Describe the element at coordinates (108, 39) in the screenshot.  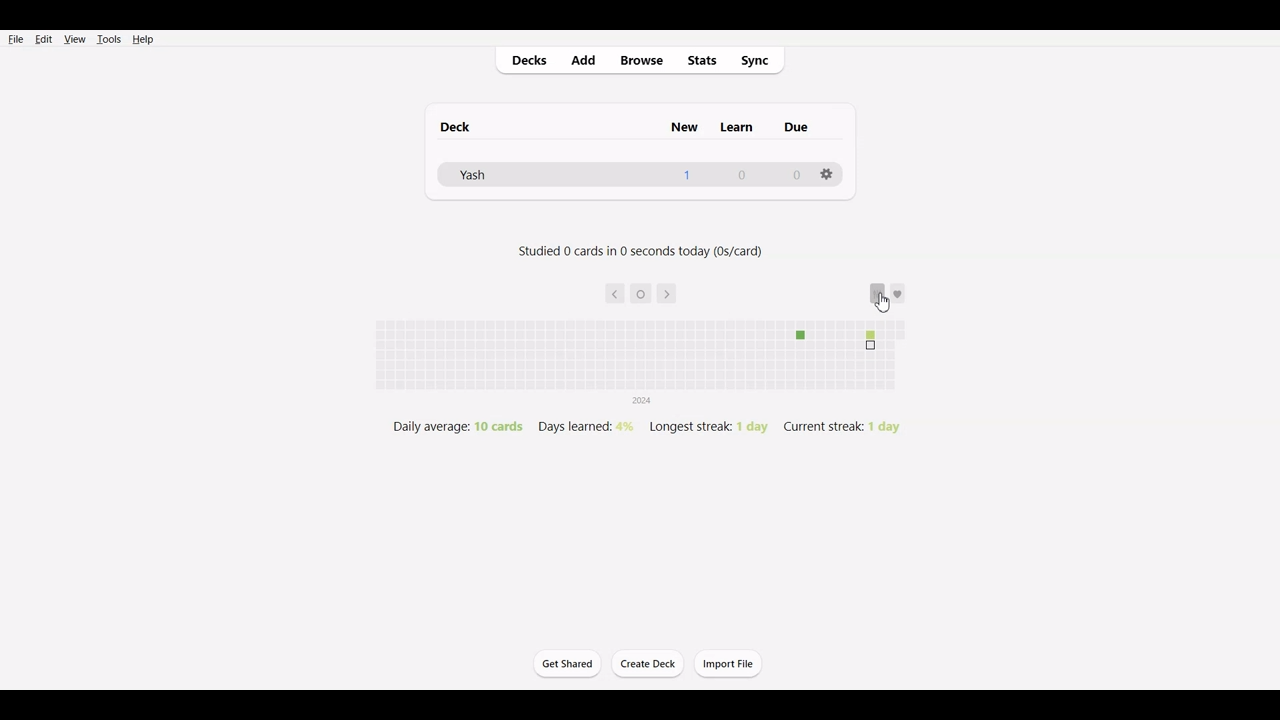
I see `Tools` at that location.